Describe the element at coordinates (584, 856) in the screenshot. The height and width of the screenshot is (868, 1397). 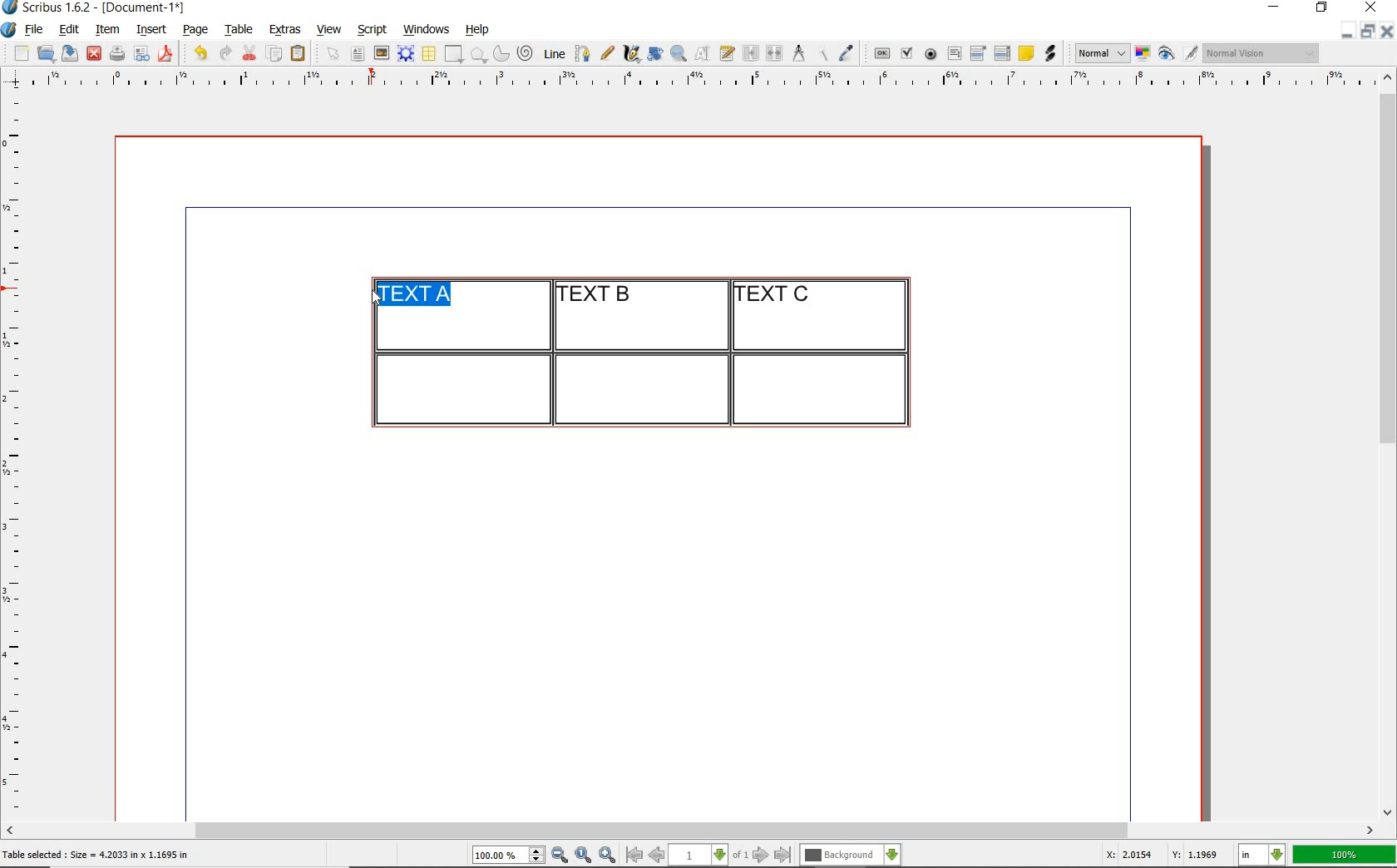
I see `zoom to` at that location.